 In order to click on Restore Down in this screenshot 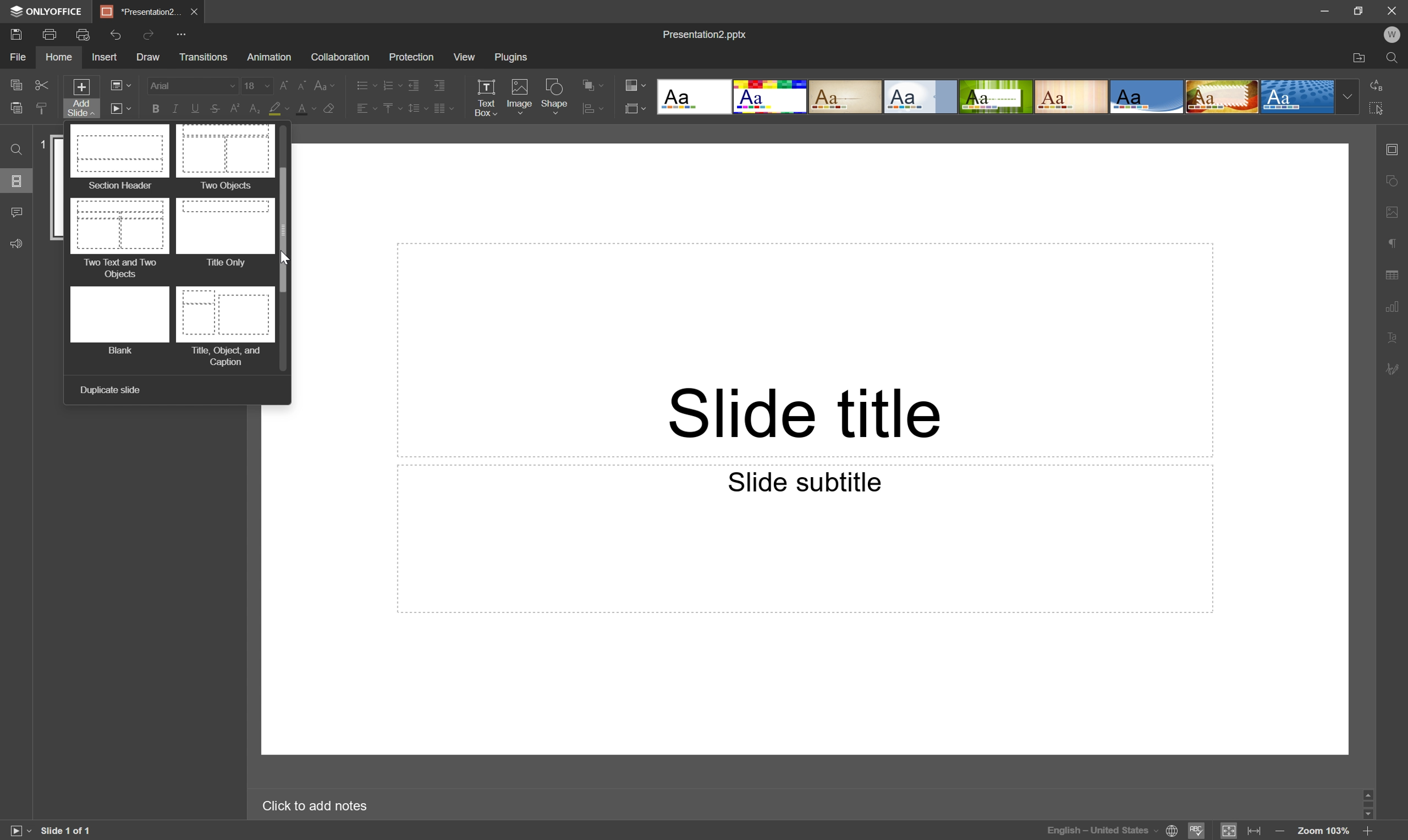, I will do `click(1359, 11)`.